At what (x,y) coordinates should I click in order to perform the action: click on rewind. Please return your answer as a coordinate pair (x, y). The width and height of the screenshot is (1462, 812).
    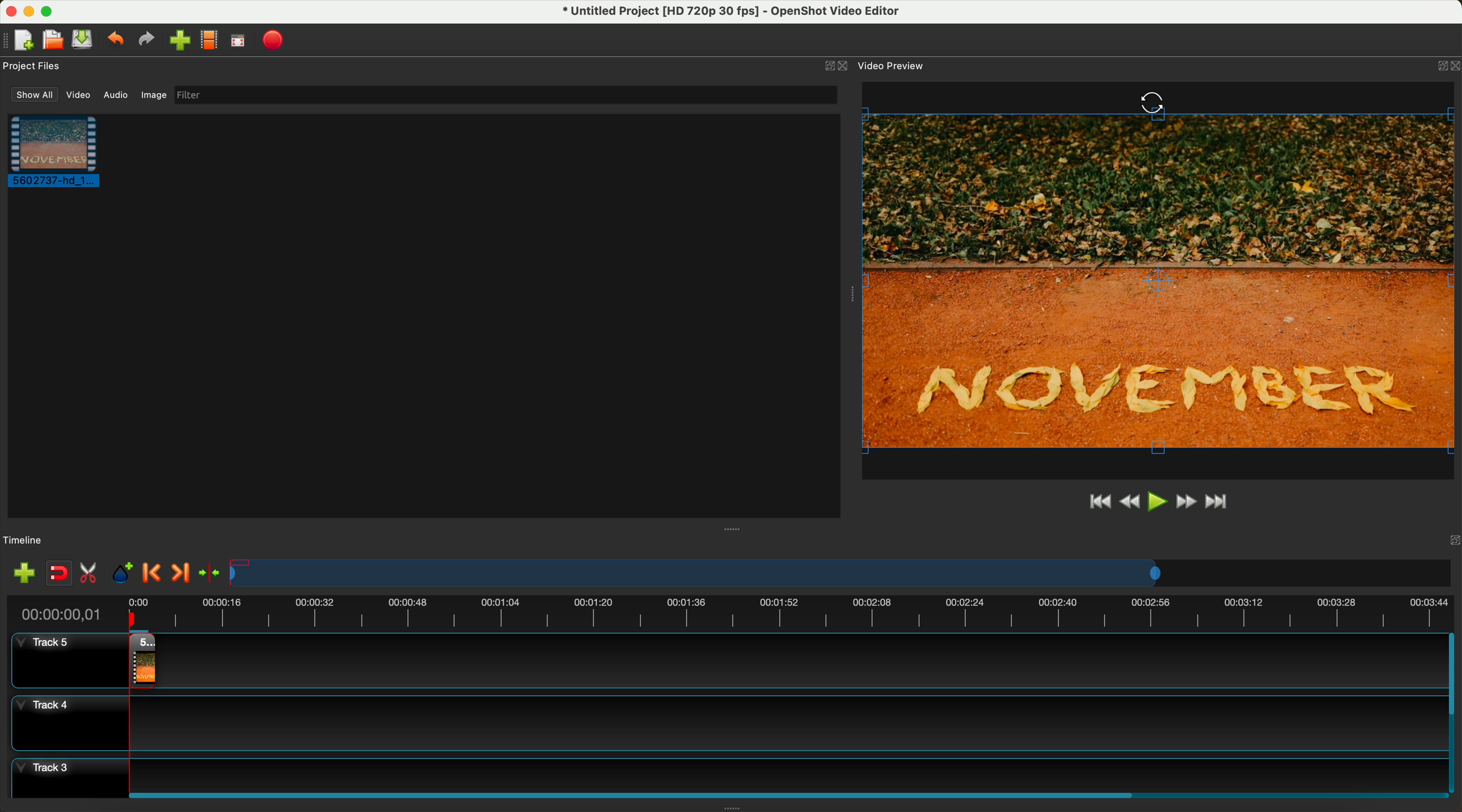
    Looking at the image, I should click on (1128, 504).